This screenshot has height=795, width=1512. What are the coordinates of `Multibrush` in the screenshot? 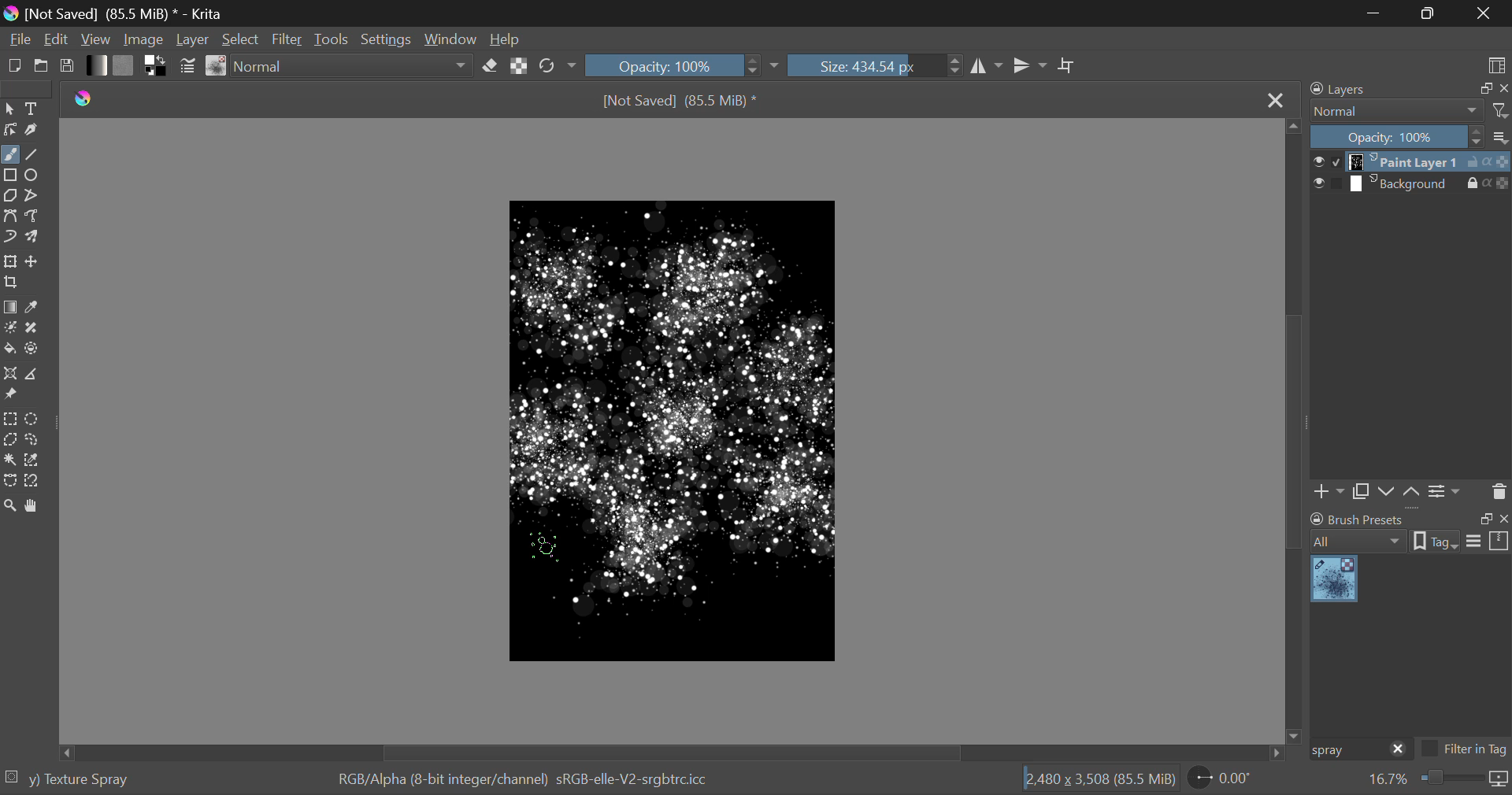 It's located at (32, 235).